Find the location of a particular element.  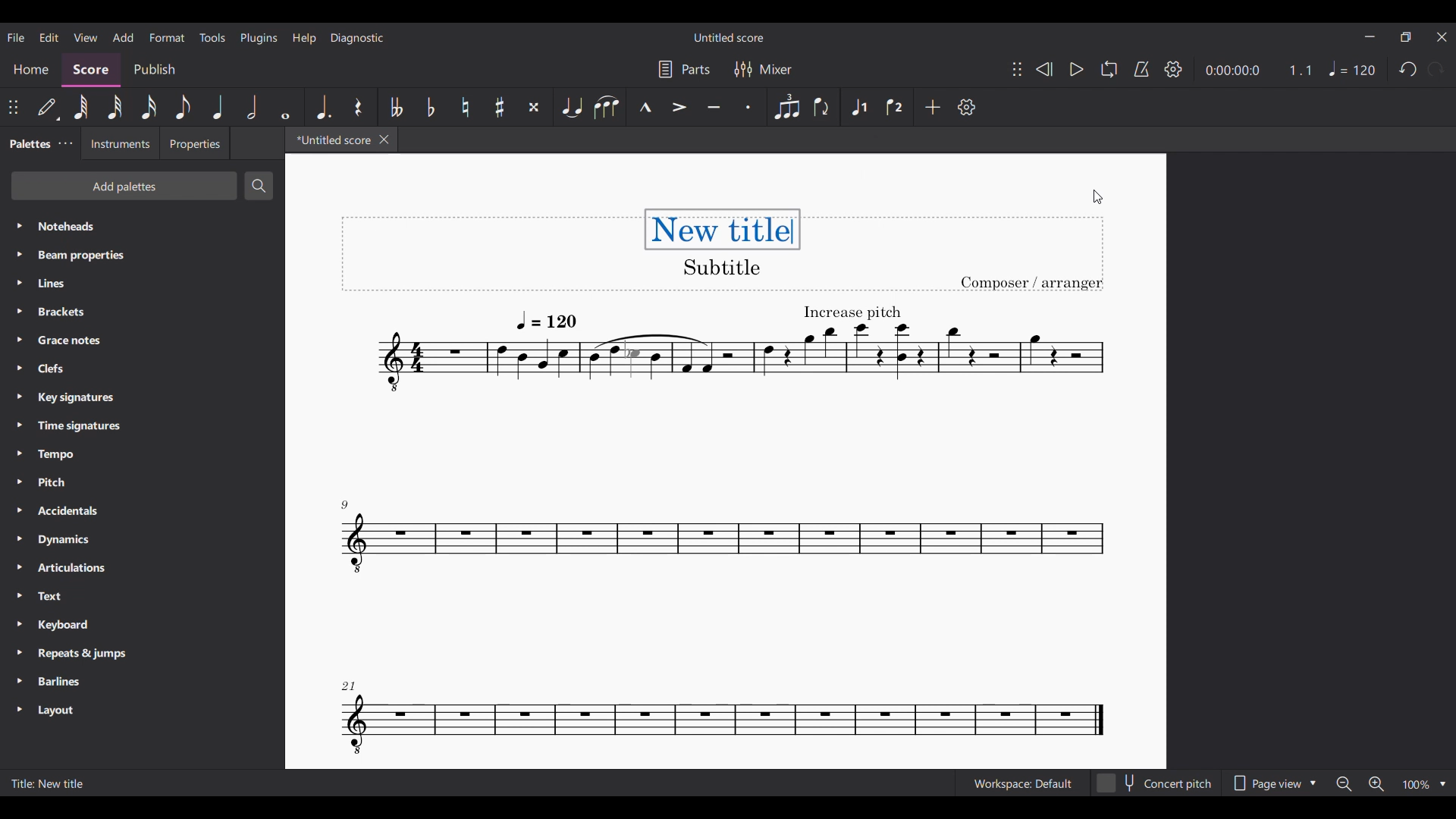

Tempo is located at coordinates (1353, 68).